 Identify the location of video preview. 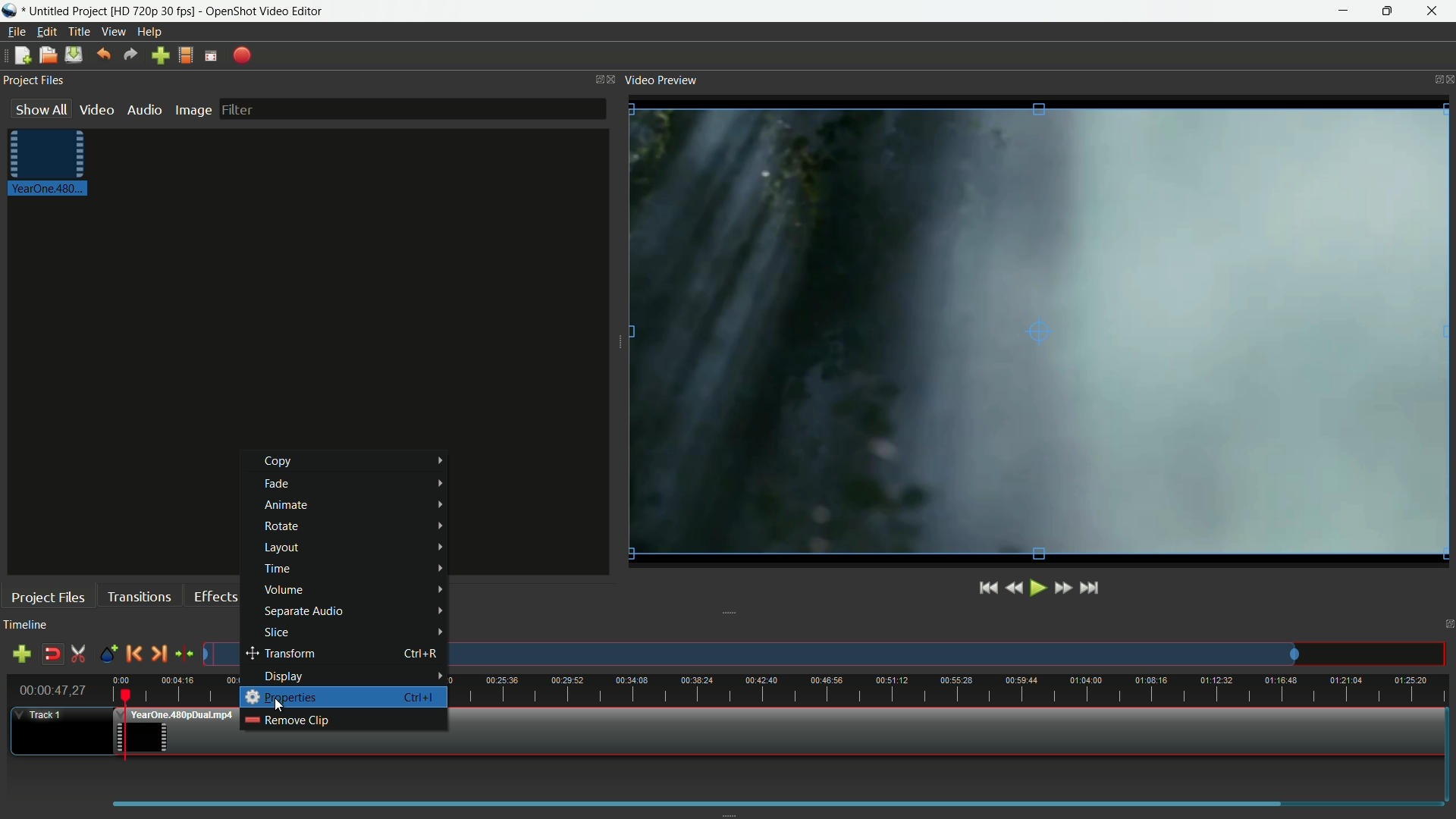
(664, 80).